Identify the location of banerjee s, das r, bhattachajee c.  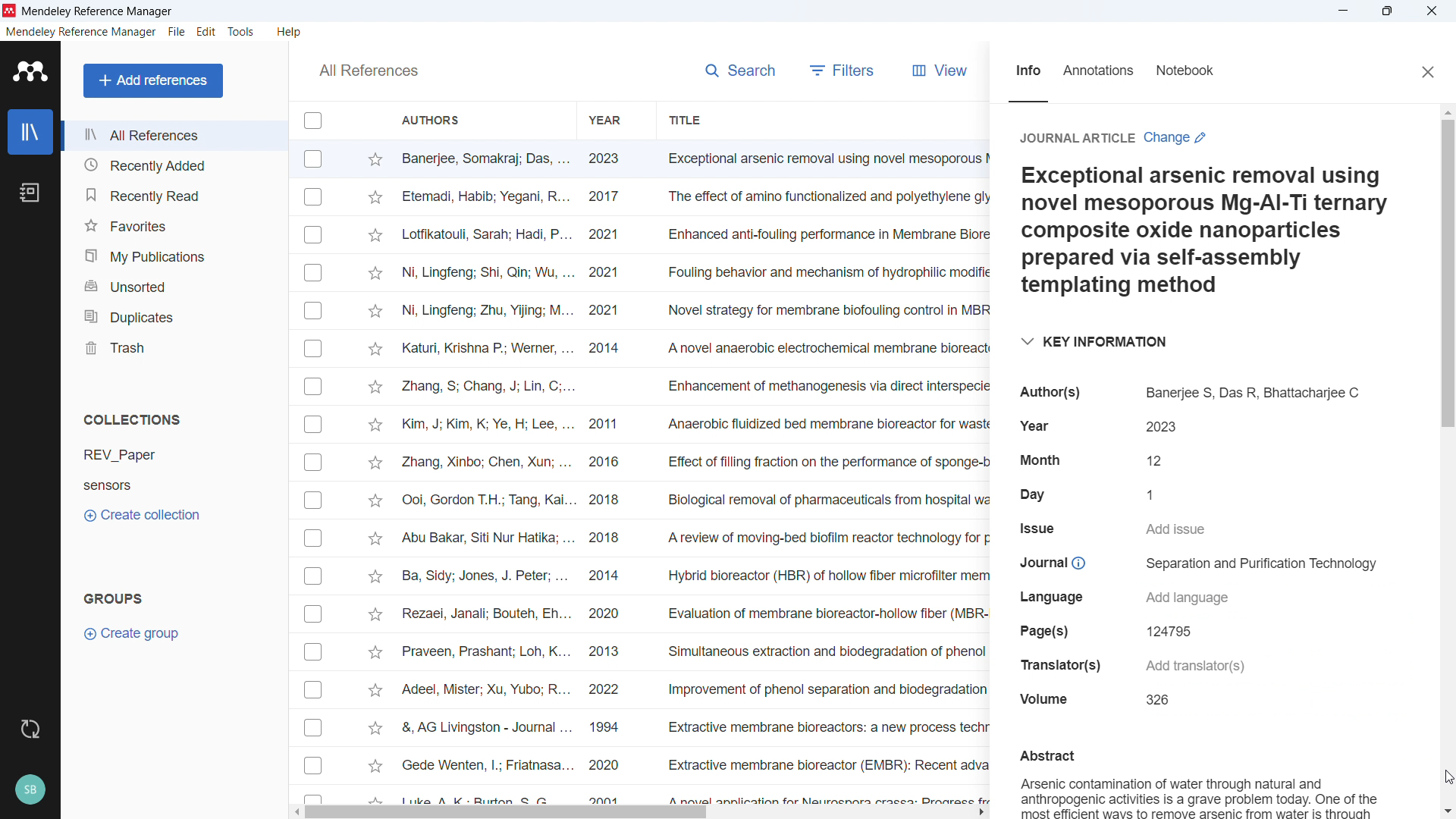
(1250, 389).